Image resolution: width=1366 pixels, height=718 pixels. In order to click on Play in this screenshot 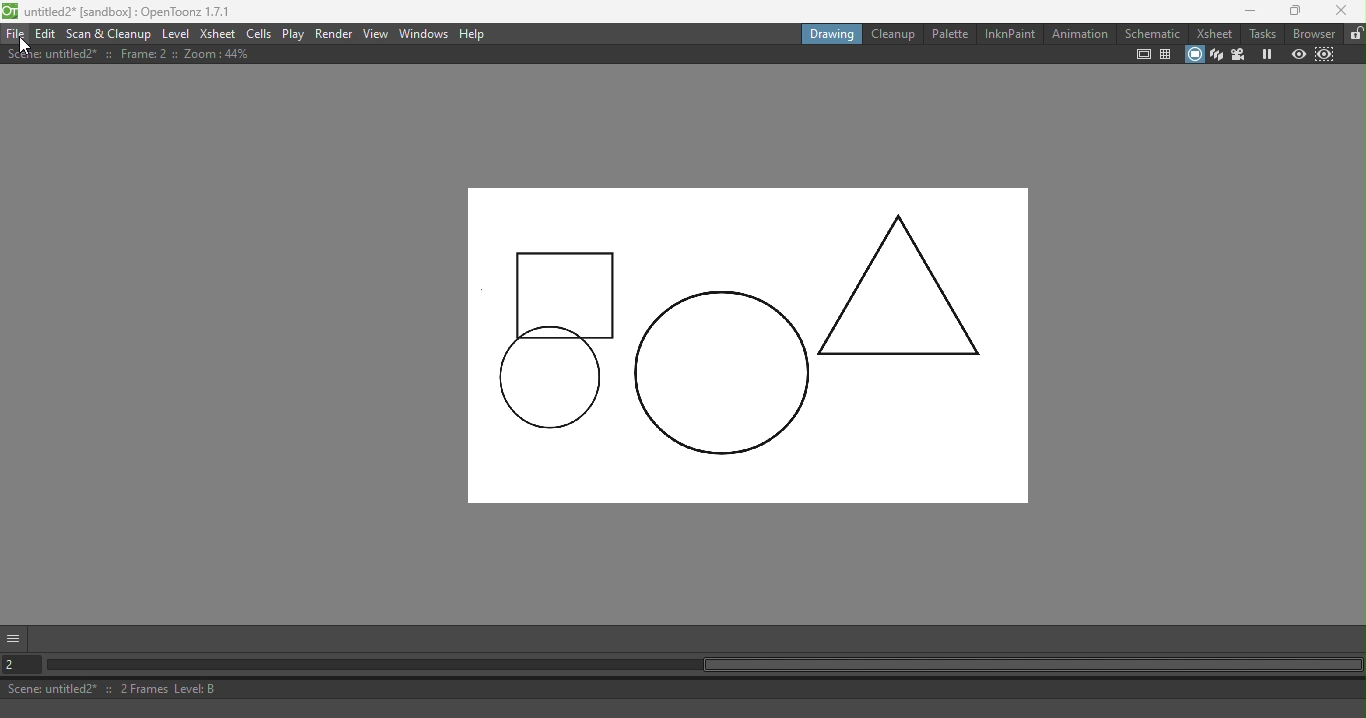, I will do `click(293, 34)`.